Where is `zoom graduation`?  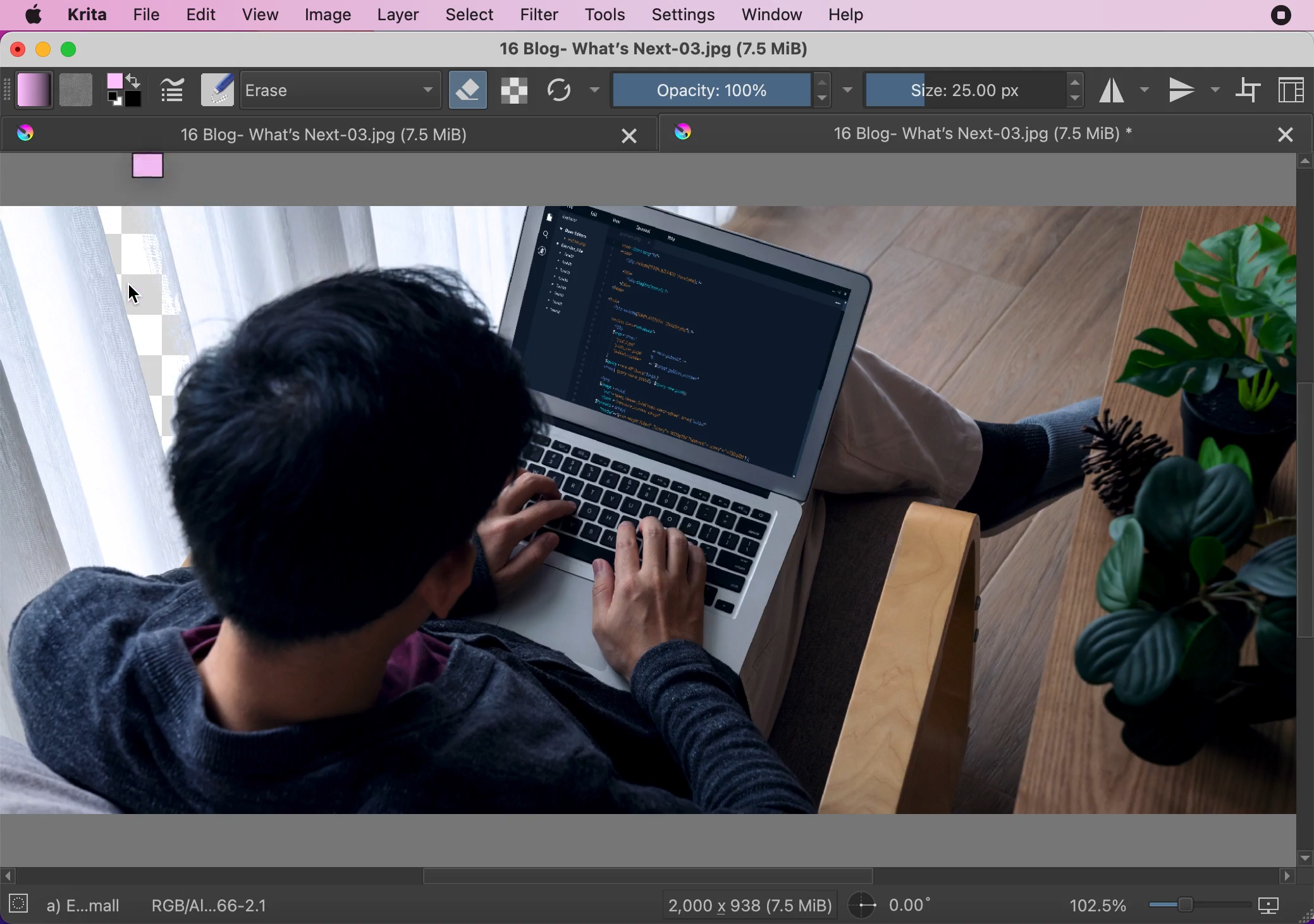
zoom graduation is located at coordinates (1196, 903).